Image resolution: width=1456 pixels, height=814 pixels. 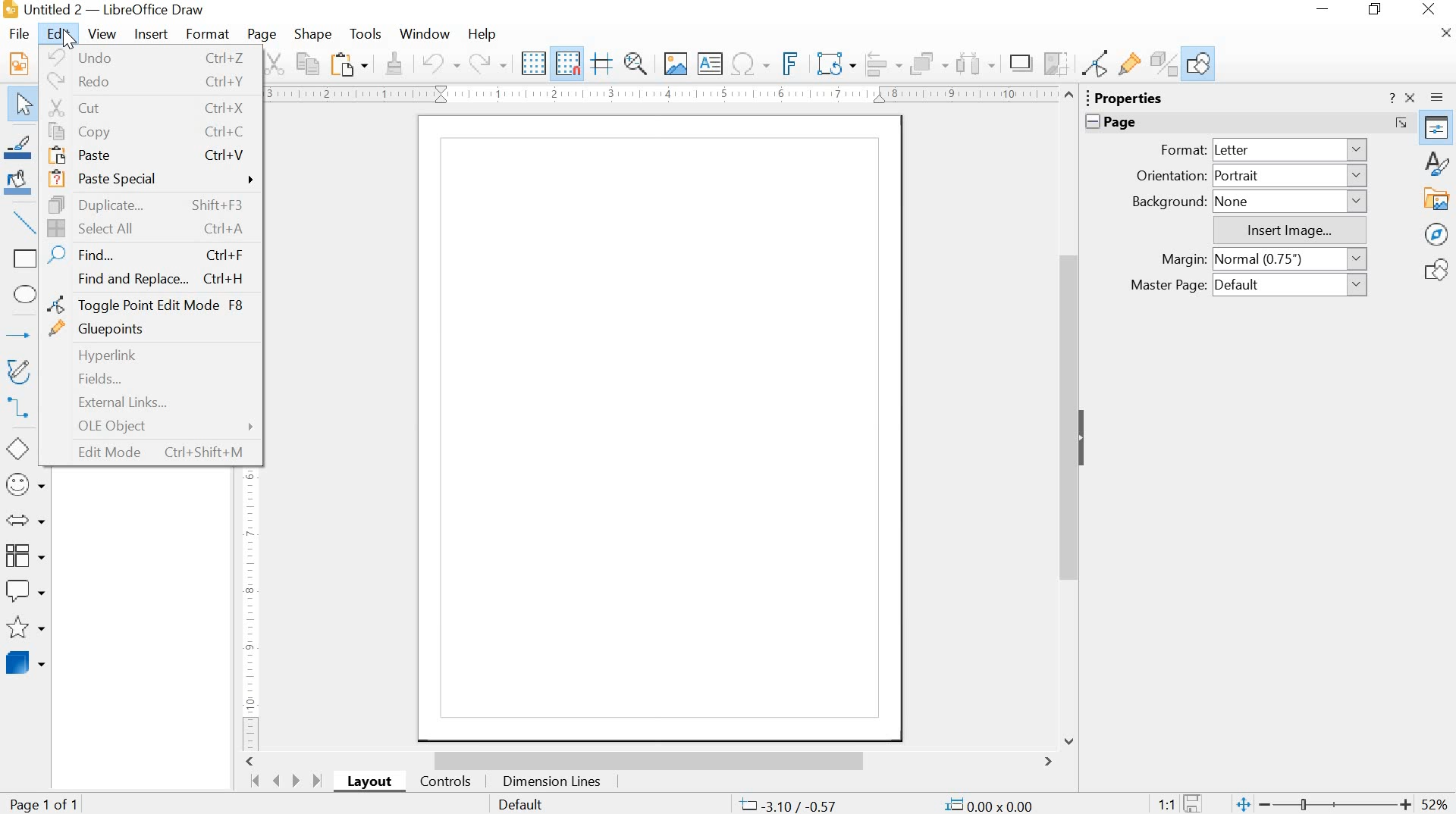 I want to click on Sidebar Settings, so click(x=1439, y=97).